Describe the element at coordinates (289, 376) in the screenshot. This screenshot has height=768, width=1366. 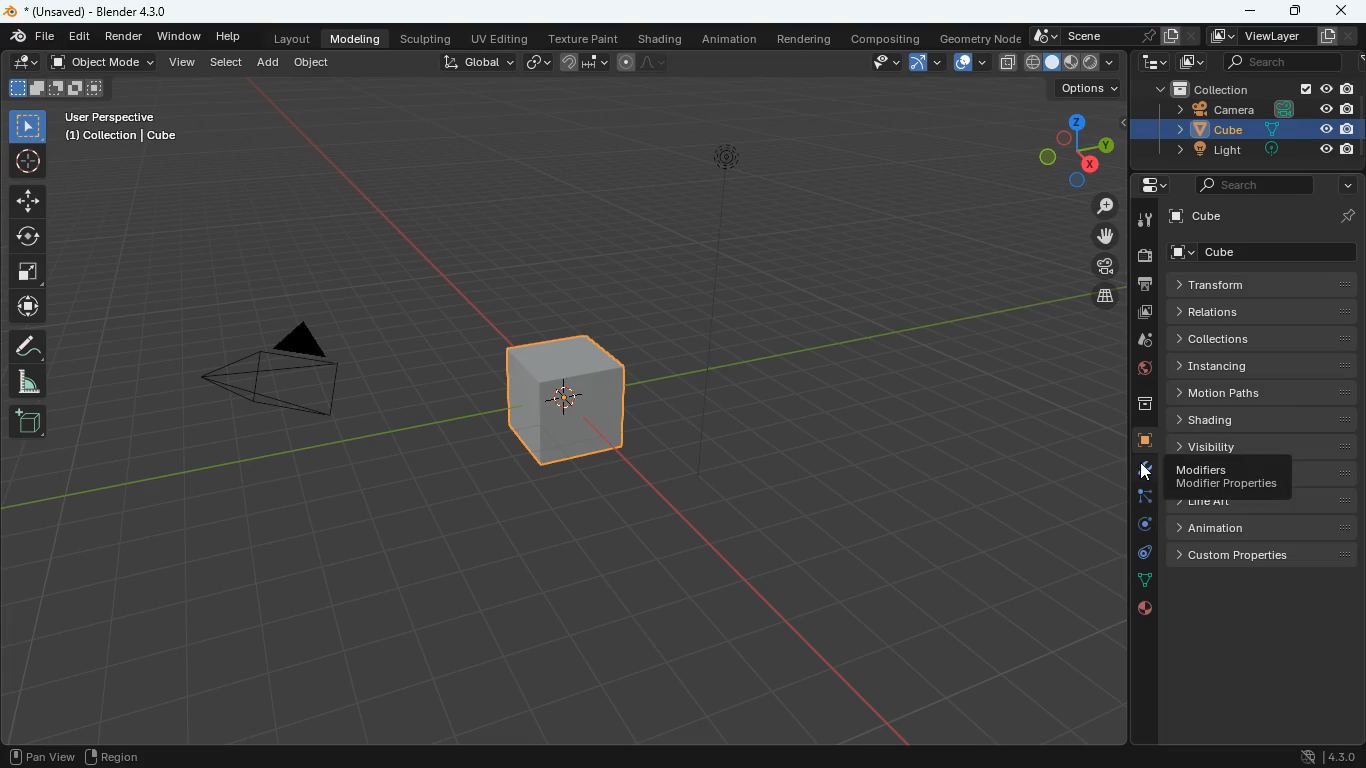
I see `camera` at that location.